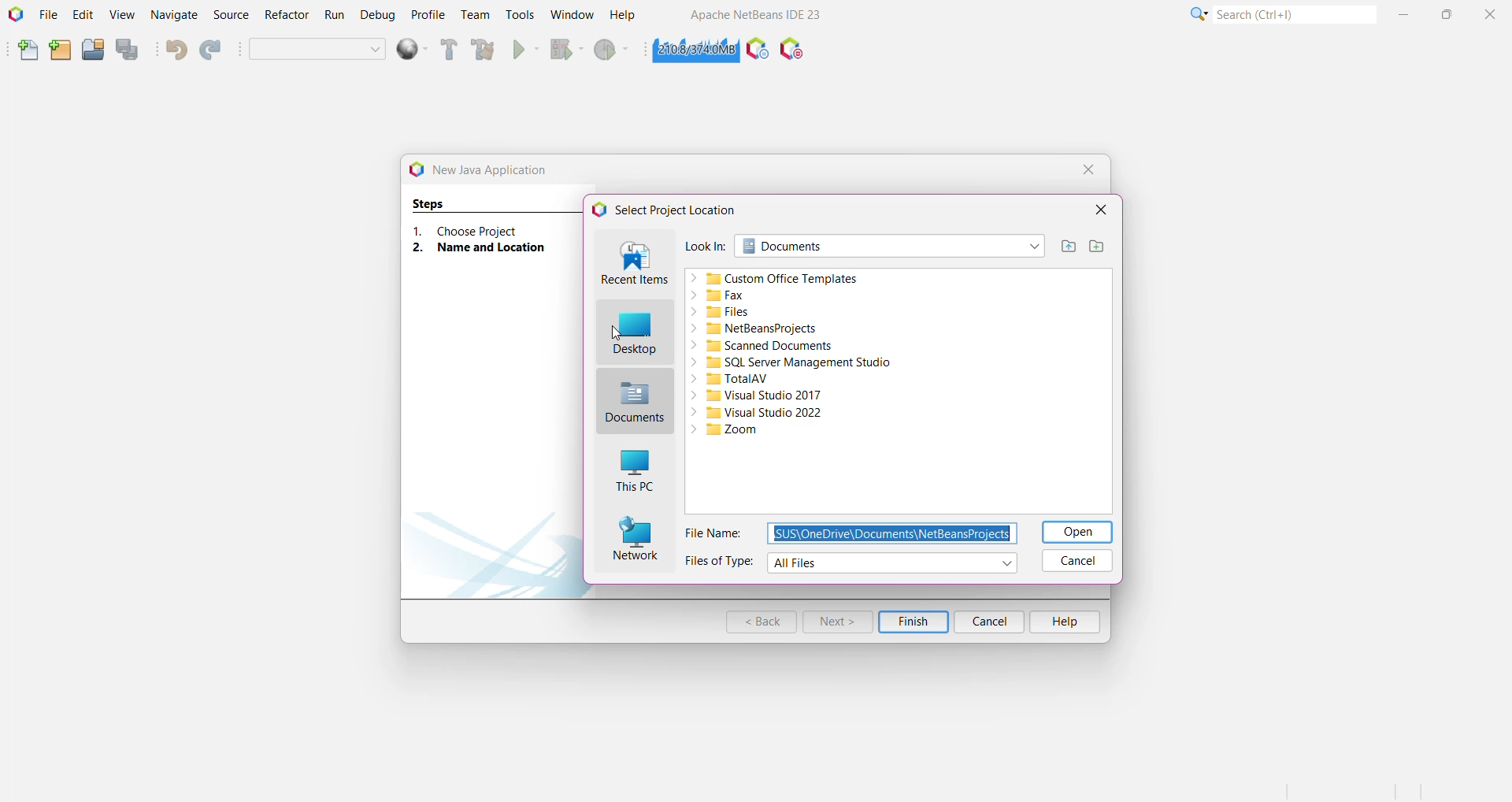  Describe the element at coordinates (1197, 17) in the screenshot. I see `More Options` at that location.